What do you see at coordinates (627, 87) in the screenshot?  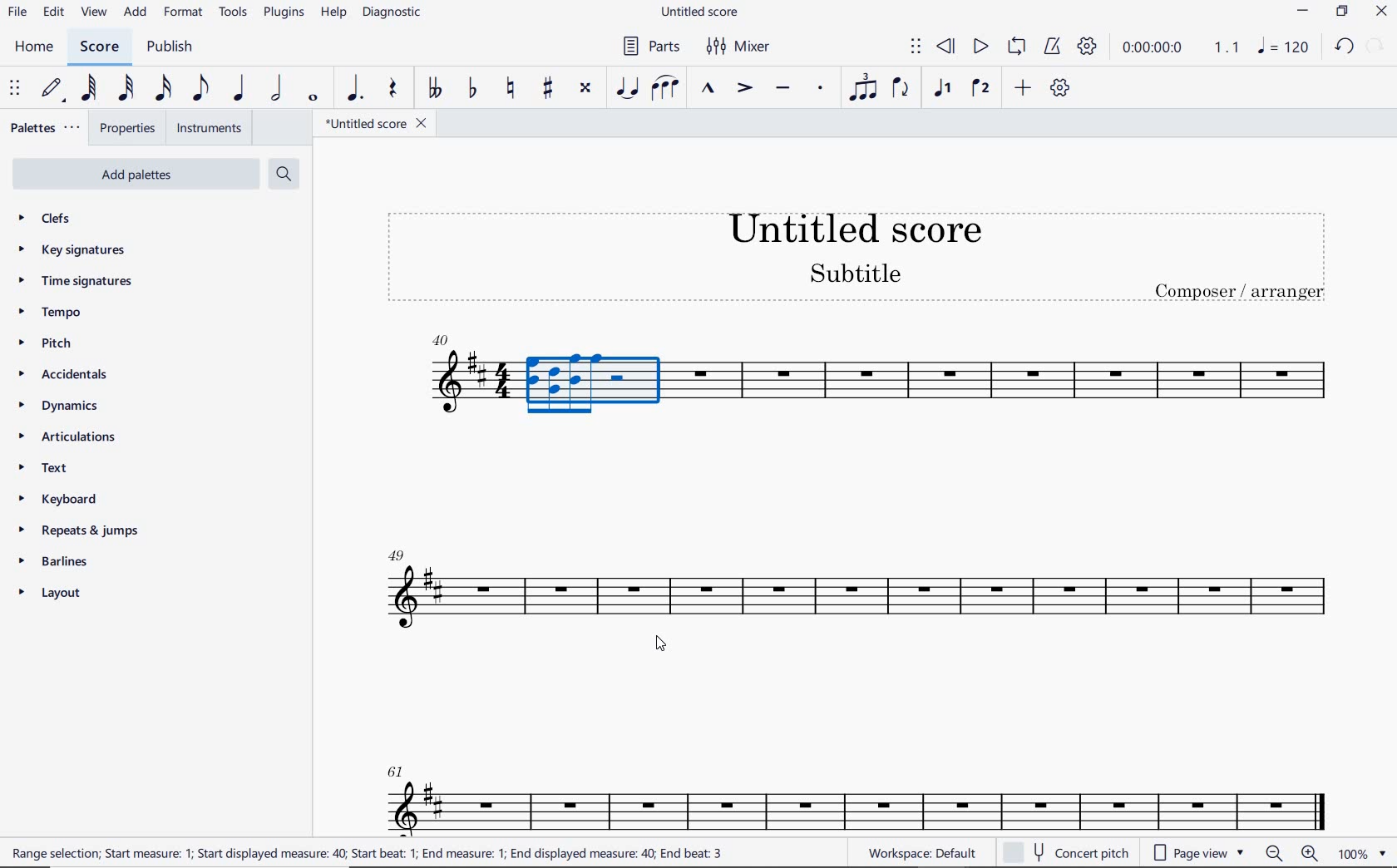 I see `TIE` at bounding box center [627, 87].